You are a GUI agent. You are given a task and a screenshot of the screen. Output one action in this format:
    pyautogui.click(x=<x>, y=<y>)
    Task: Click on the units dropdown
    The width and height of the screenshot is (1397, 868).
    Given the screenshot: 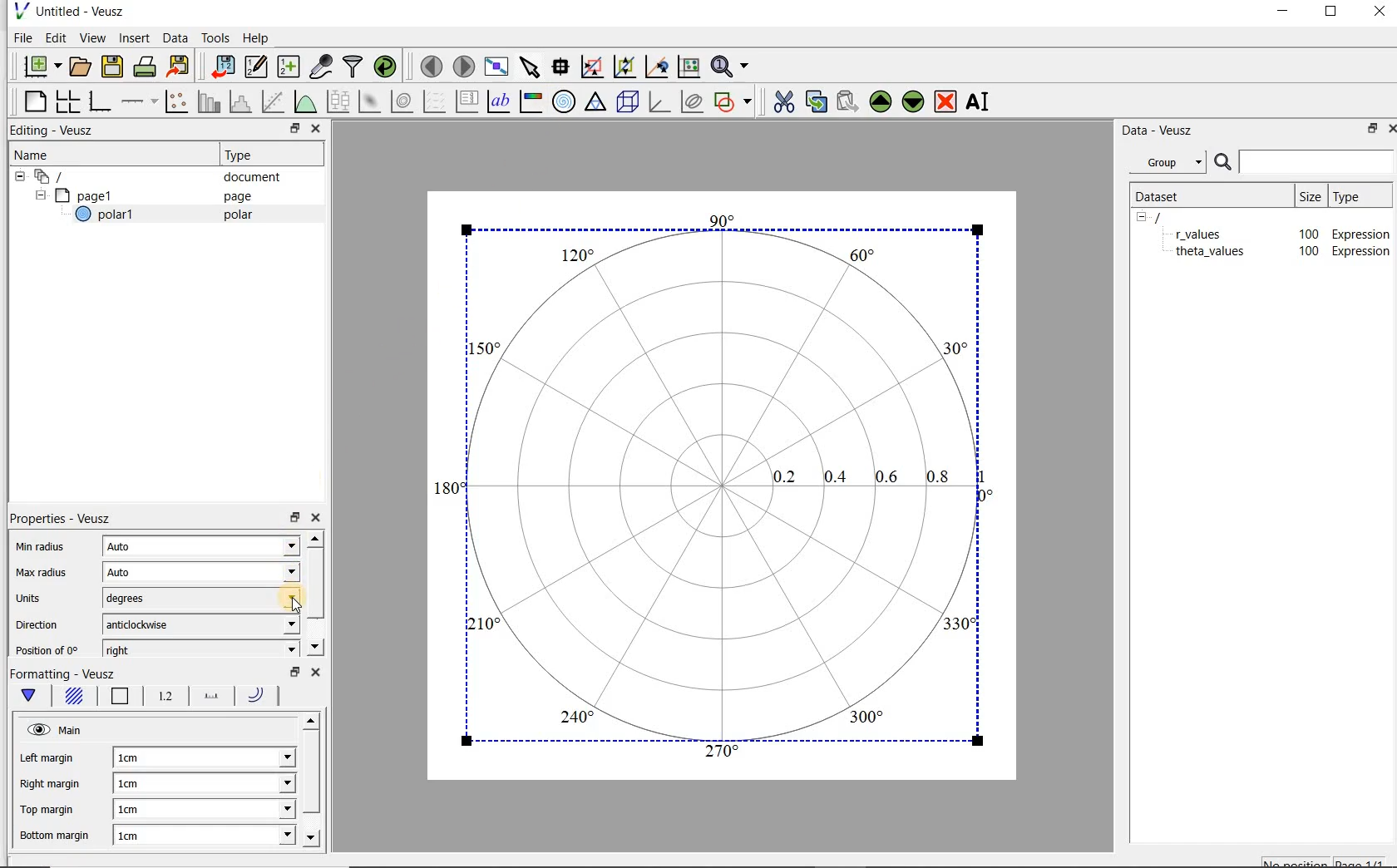 What is the action you would take?
    pyautogui.click(x=269, y=600)
    